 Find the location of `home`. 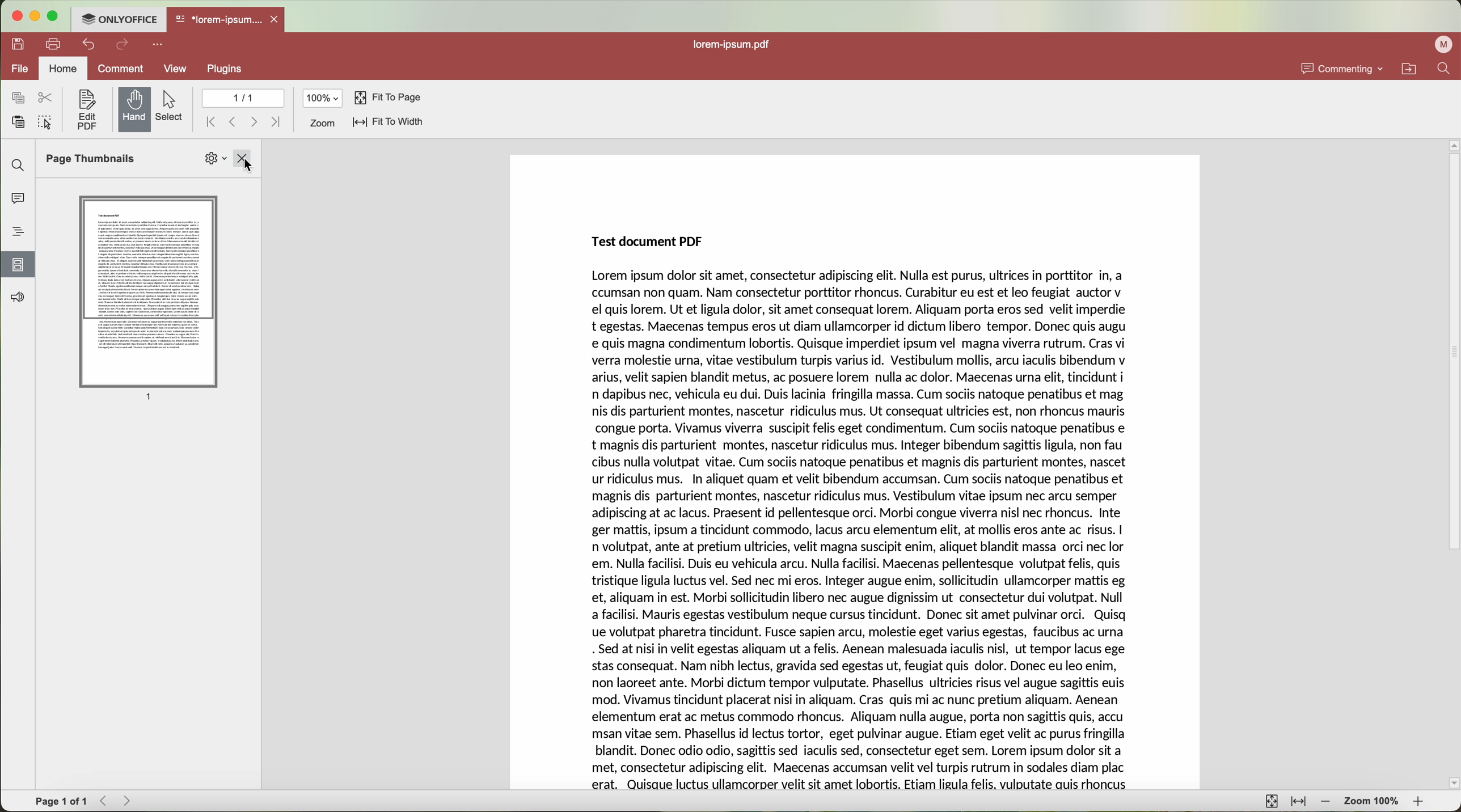

home is located at coordinates (63, 67).